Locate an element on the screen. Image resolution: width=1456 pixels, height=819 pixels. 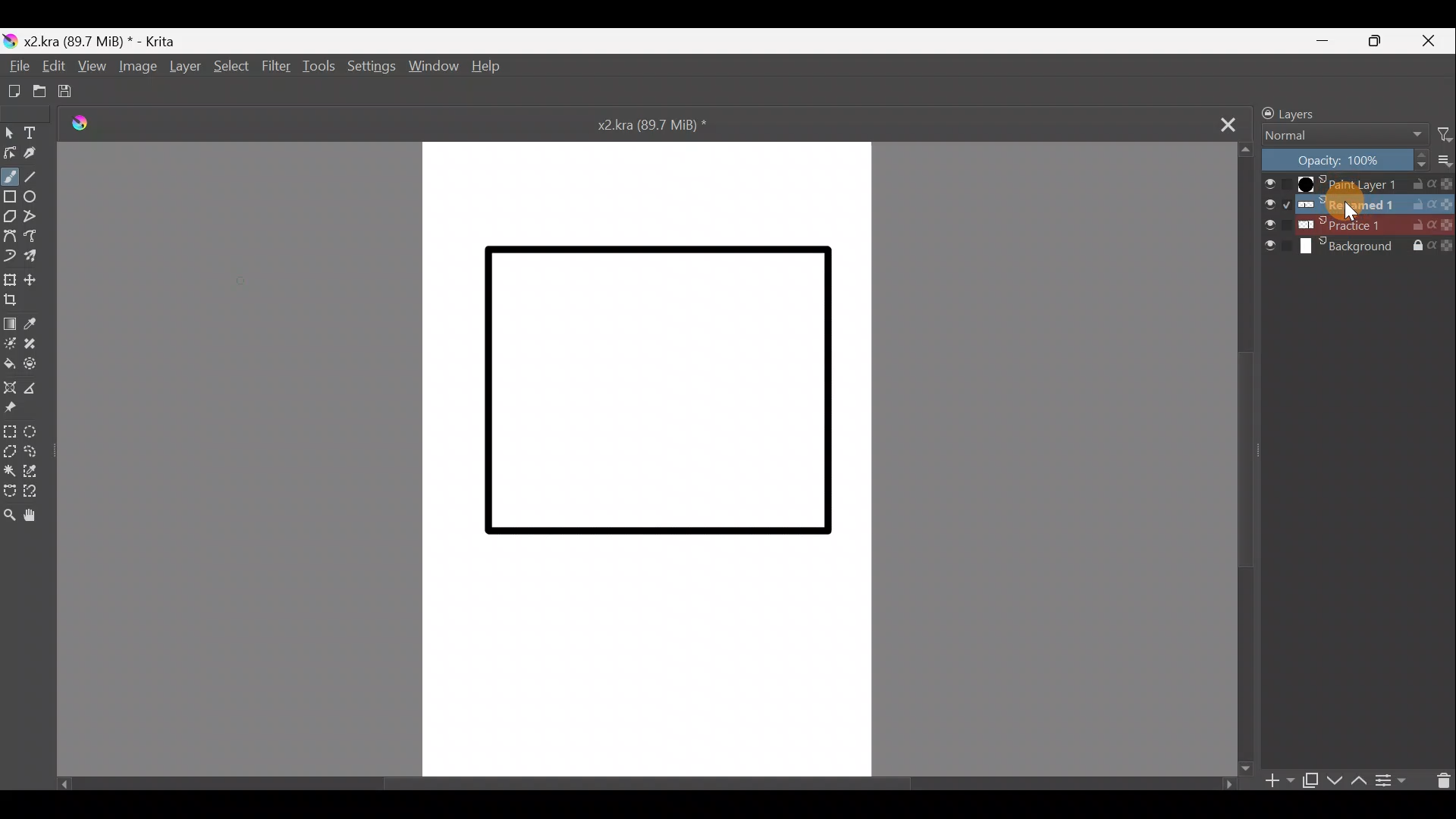
Tools is located at coordinates (315, 67).